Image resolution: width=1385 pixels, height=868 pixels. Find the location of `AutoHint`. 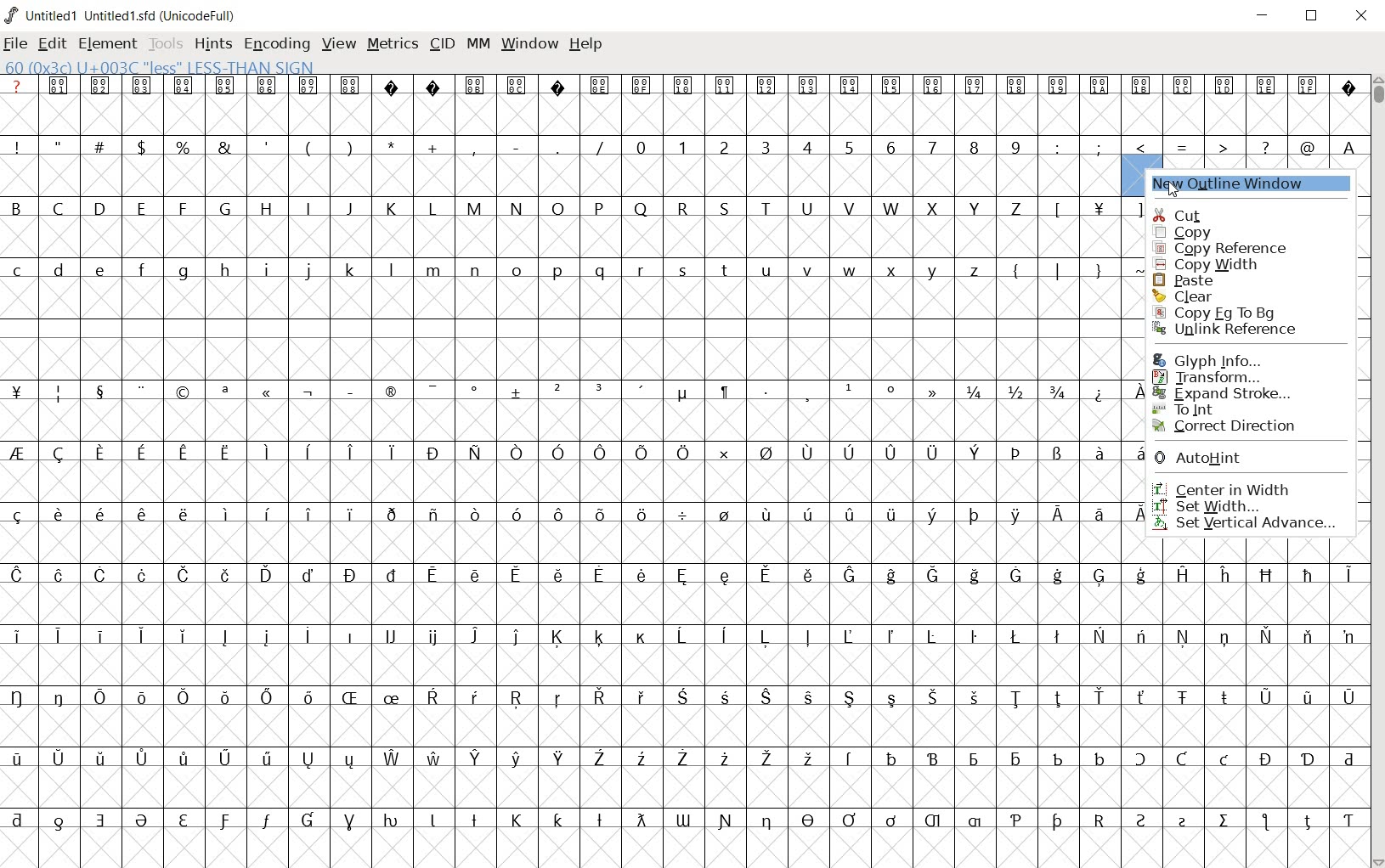

AutoHint is located at coordinates (1219, 459).